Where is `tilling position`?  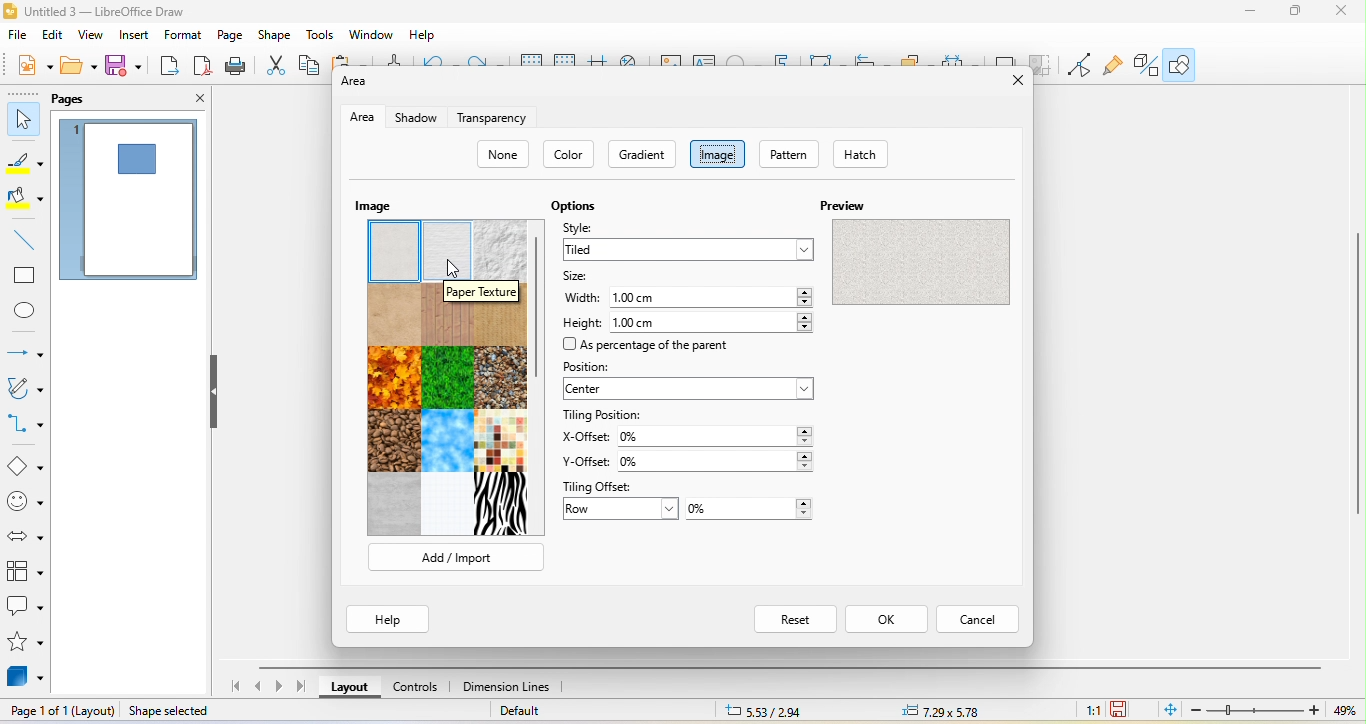 tilling position is located at coordinates (602, 416).